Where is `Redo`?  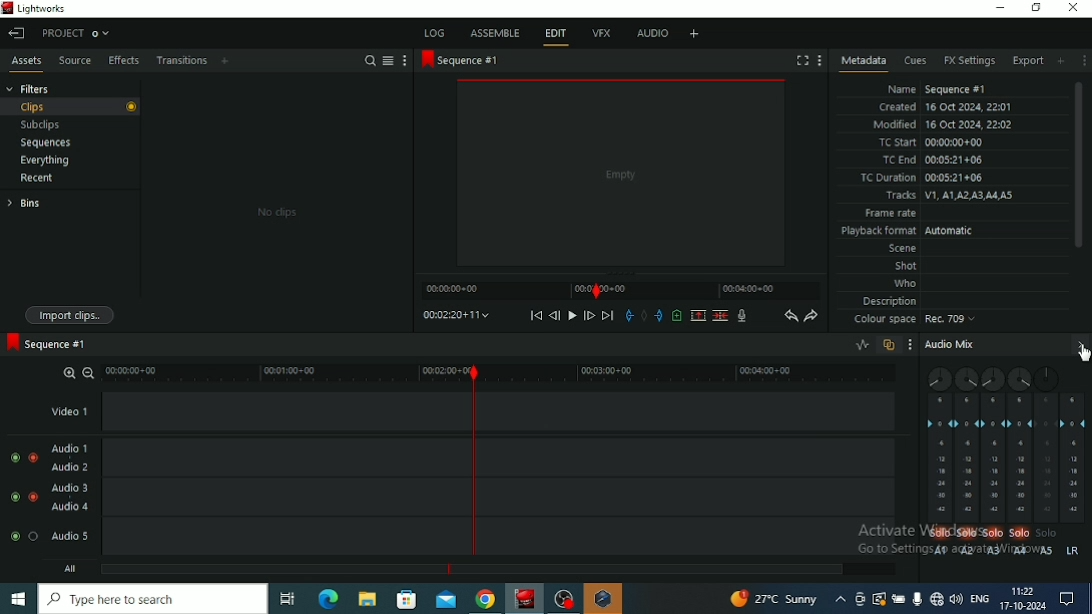
Redo is located at coordinates (811, 317).